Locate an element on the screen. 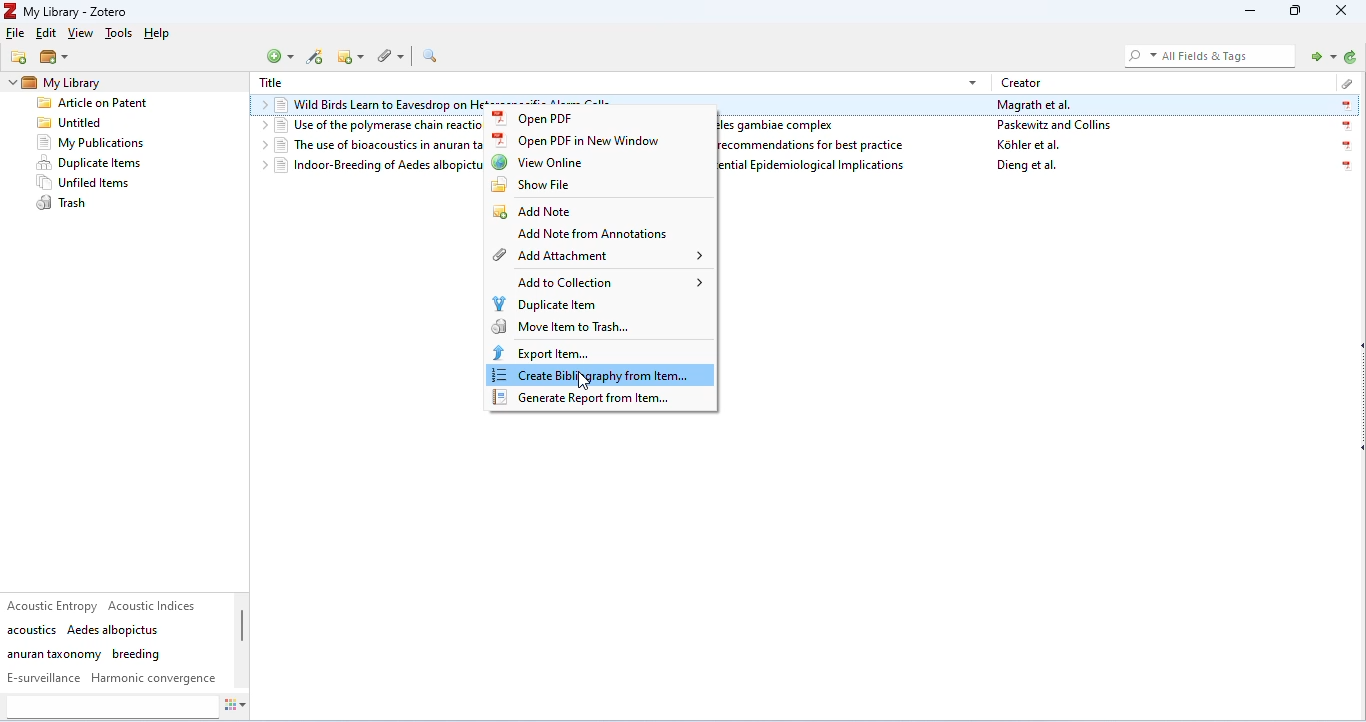 The image size is (1366, 722). article on patent is located at coordinates (93, 105).